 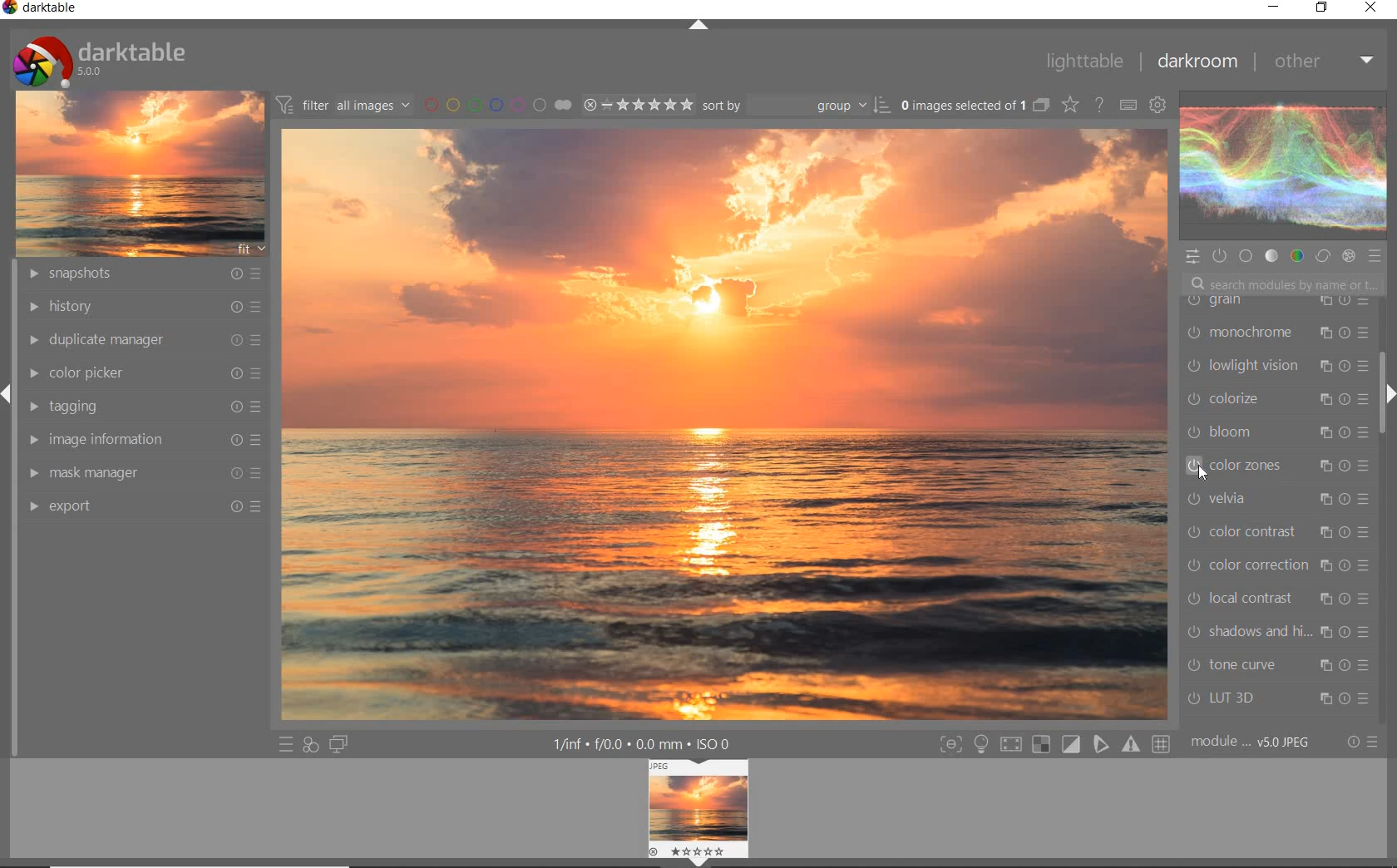 What do you see at coordinates (1277, 634) in the screenshot?
I see `shadows` at bounding box center [1277, 634].